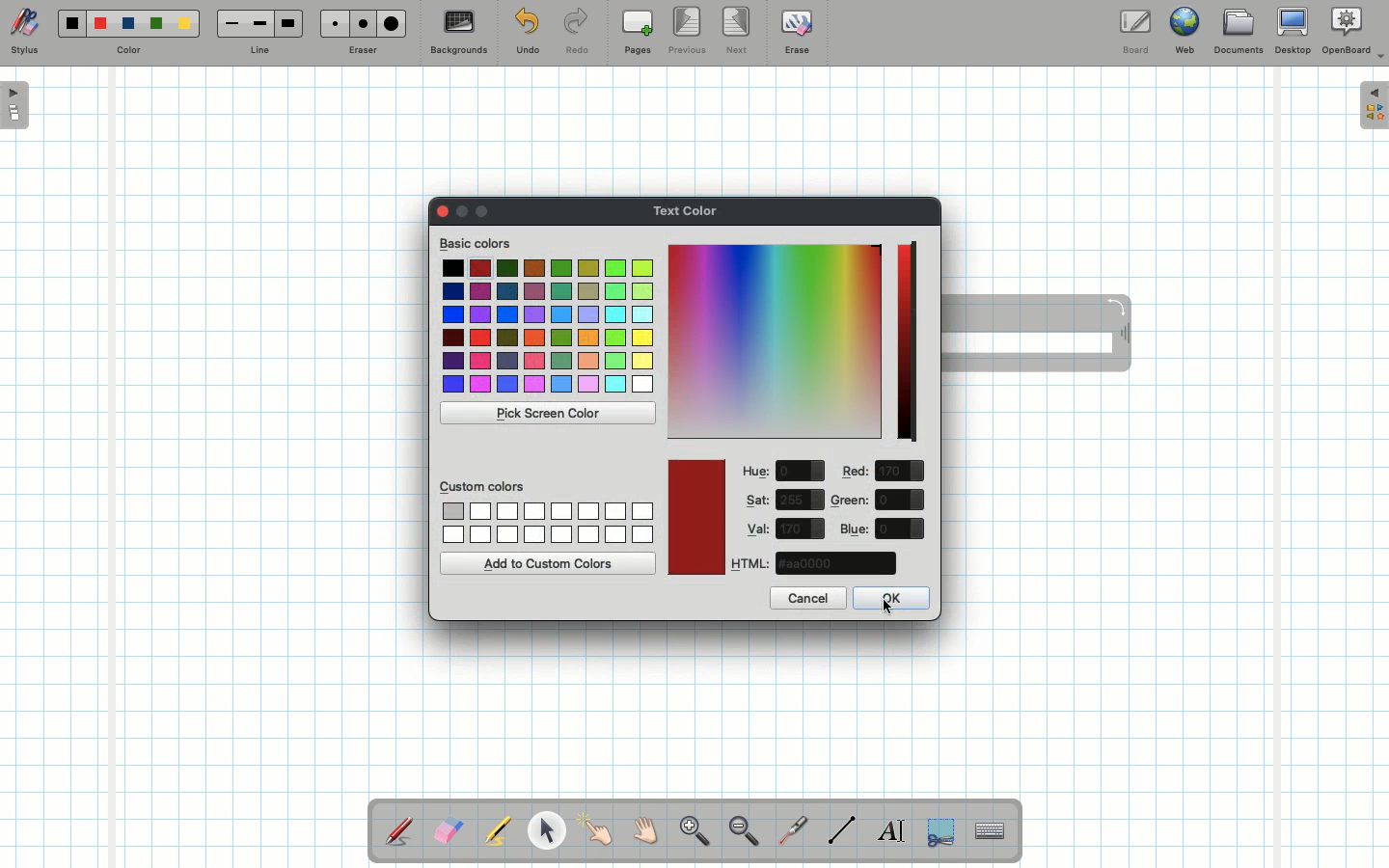 The image size is (1389, 868). Describe the element at coordinates (70, 23) in the screenshot. I see `Black` at that location.